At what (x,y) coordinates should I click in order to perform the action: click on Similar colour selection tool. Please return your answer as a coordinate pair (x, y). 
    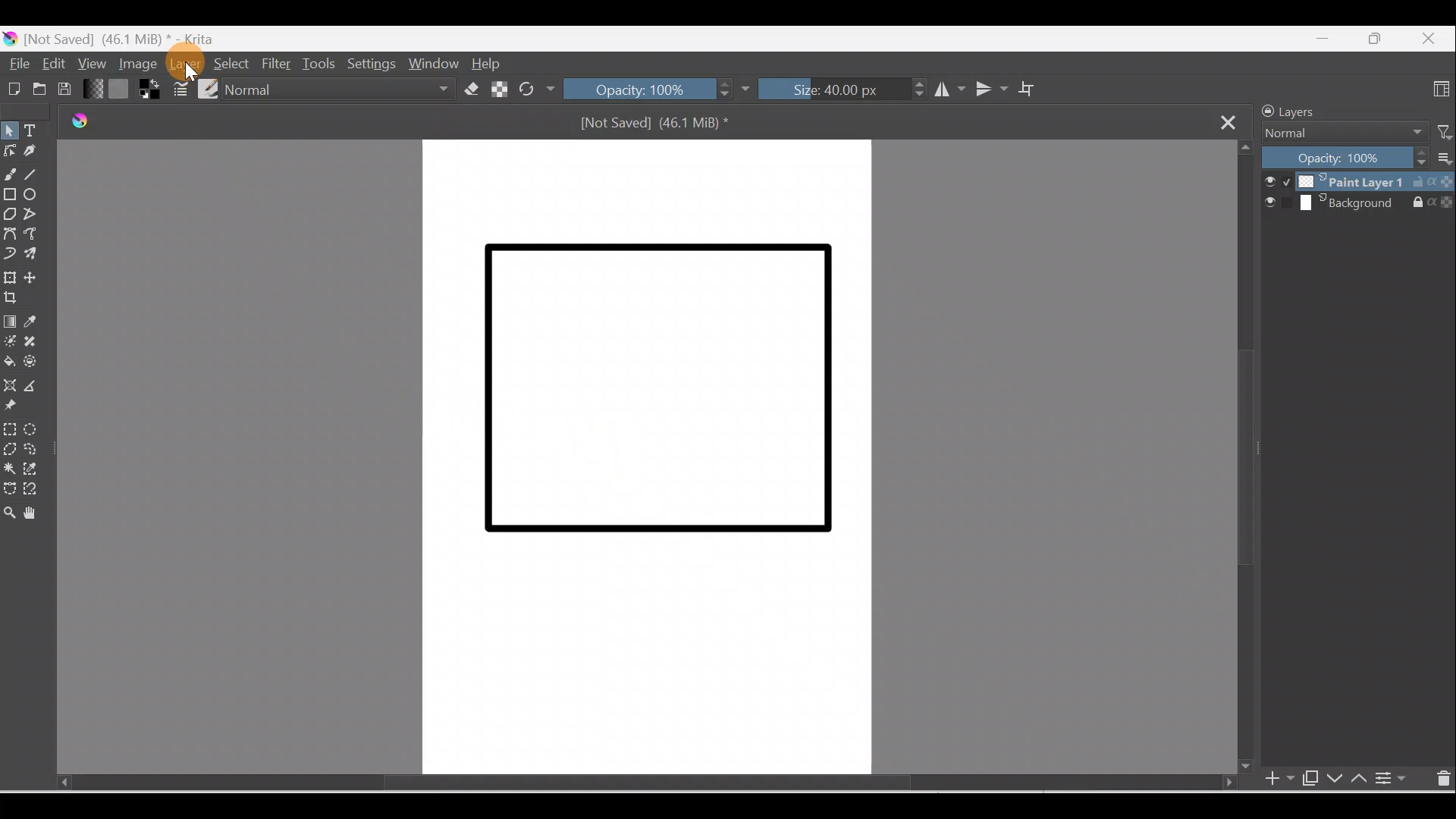
    Looking at the image, I should click on (35, 471).